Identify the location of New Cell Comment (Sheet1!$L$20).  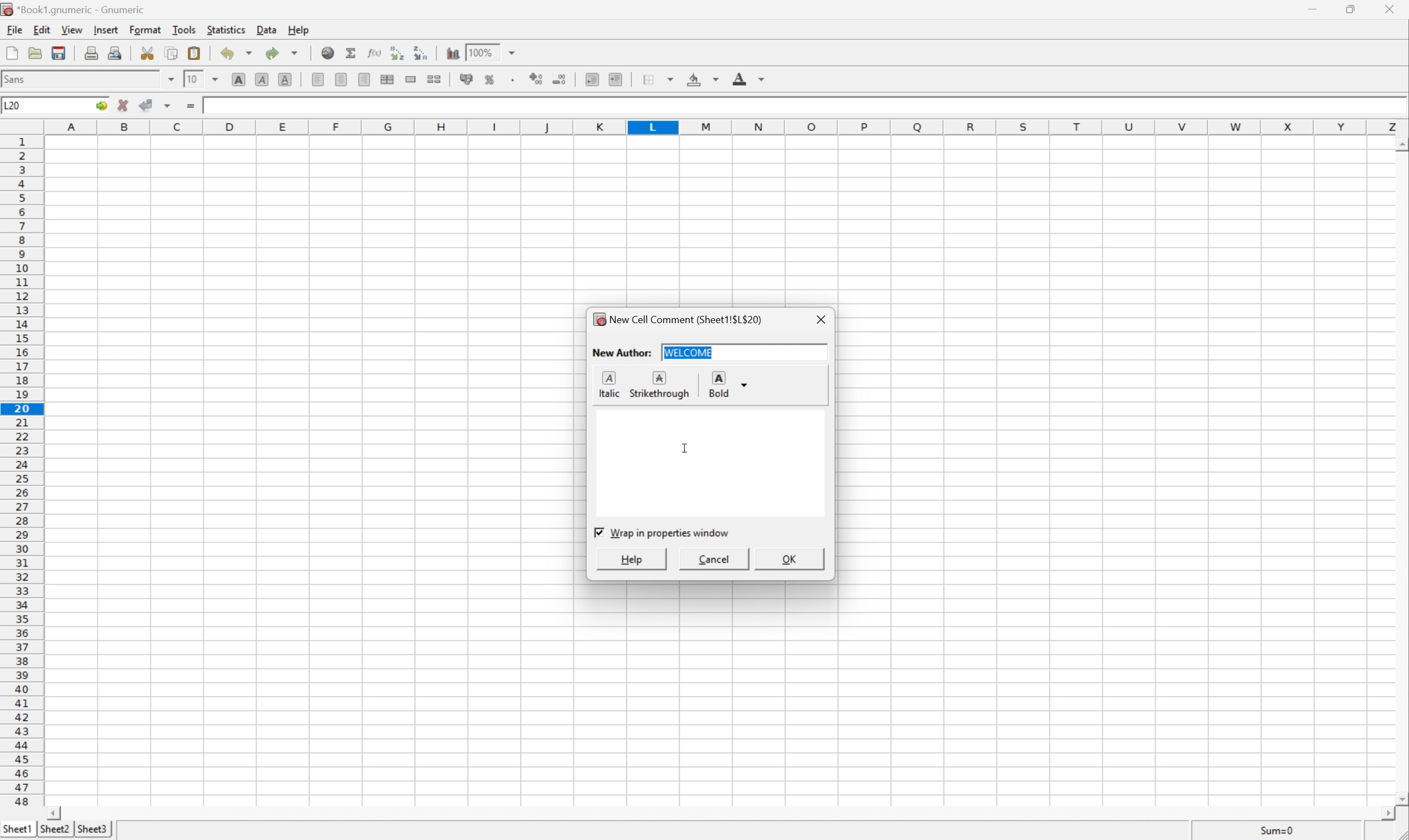
(676, 319).